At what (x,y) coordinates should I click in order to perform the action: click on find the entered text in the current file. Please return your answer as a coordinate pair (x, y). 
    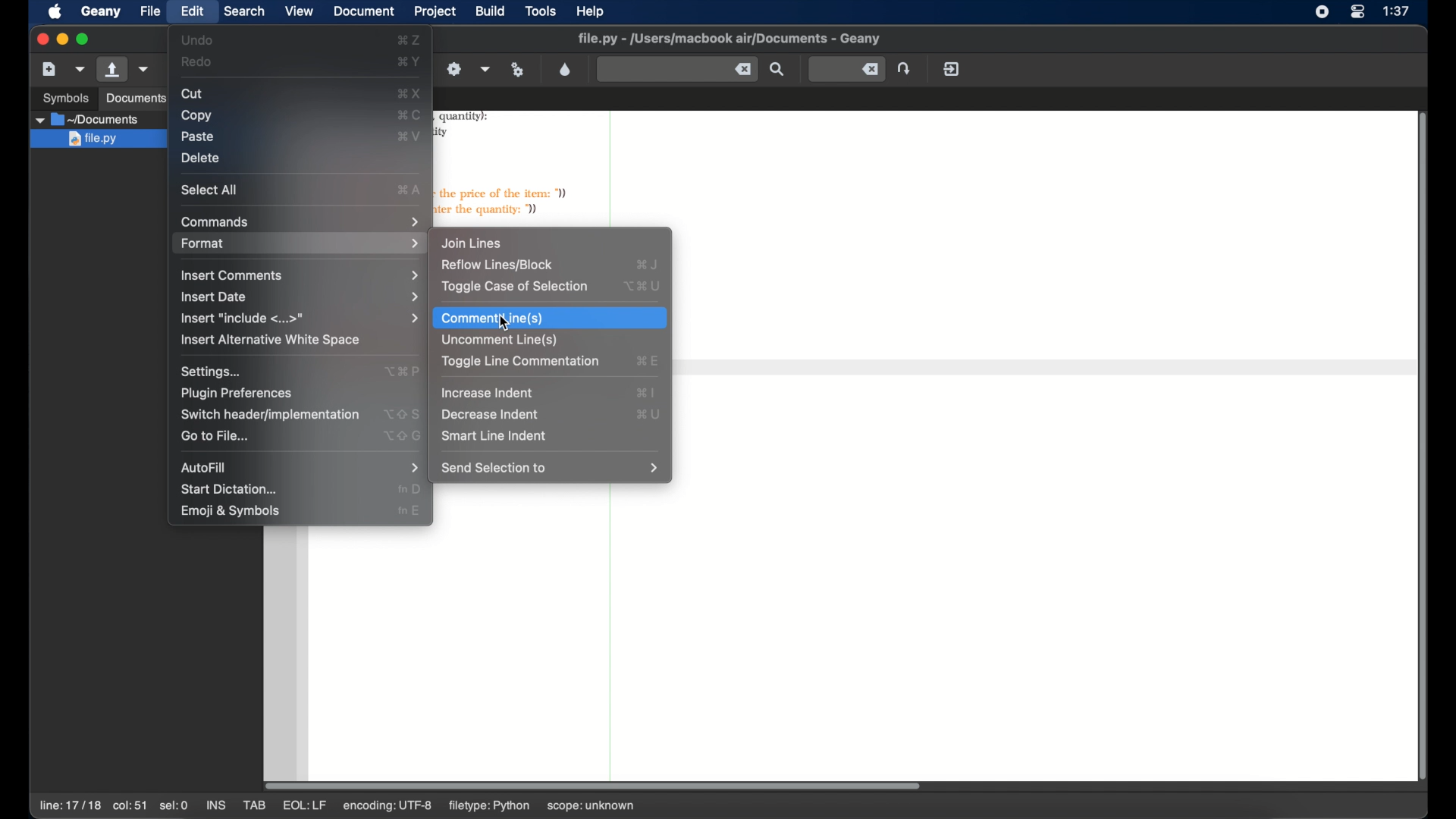
    Looking at the image, I should click on (676, 70).